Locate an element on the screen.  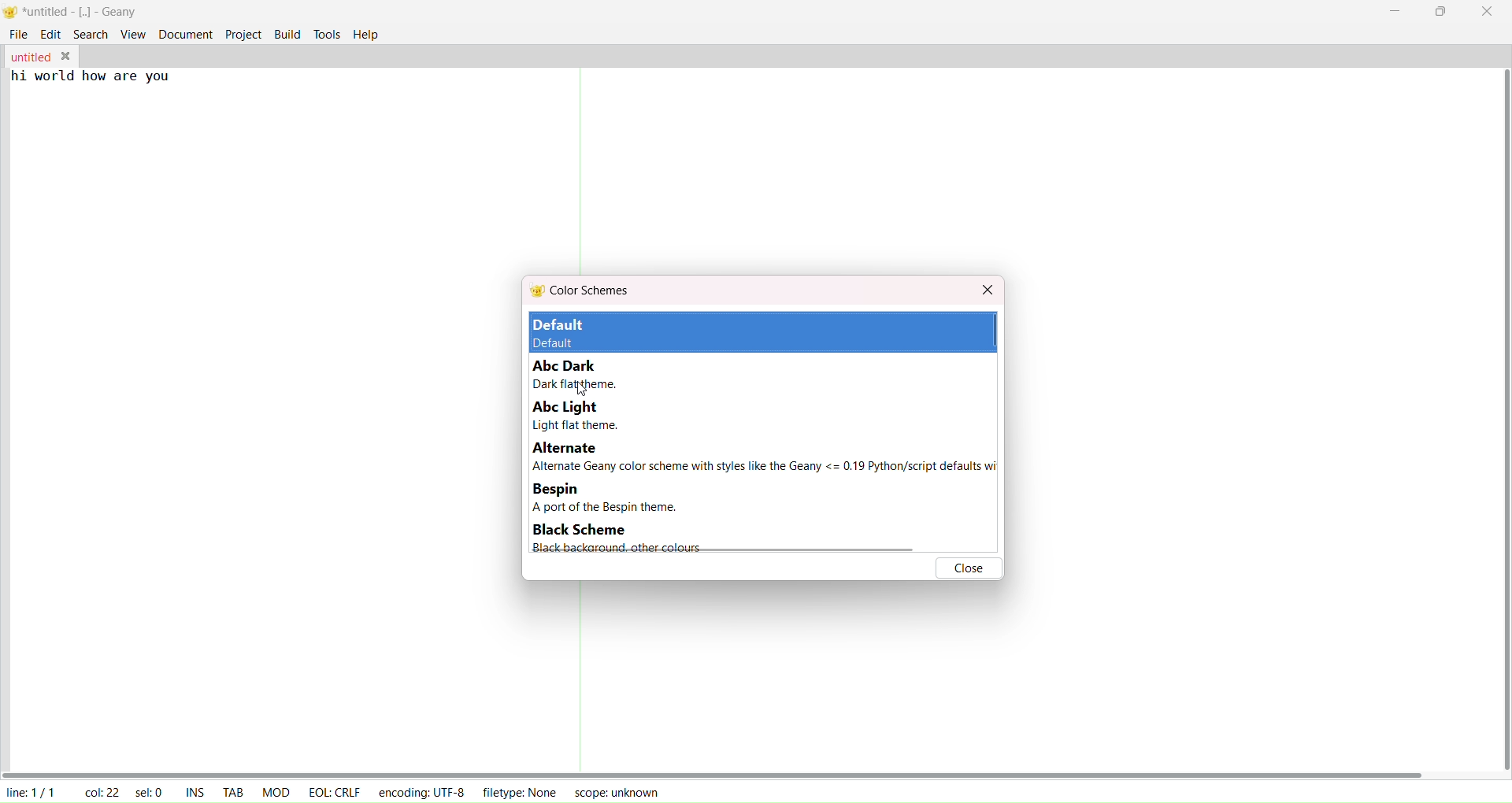
close tab is located at coordinates (65, 54).